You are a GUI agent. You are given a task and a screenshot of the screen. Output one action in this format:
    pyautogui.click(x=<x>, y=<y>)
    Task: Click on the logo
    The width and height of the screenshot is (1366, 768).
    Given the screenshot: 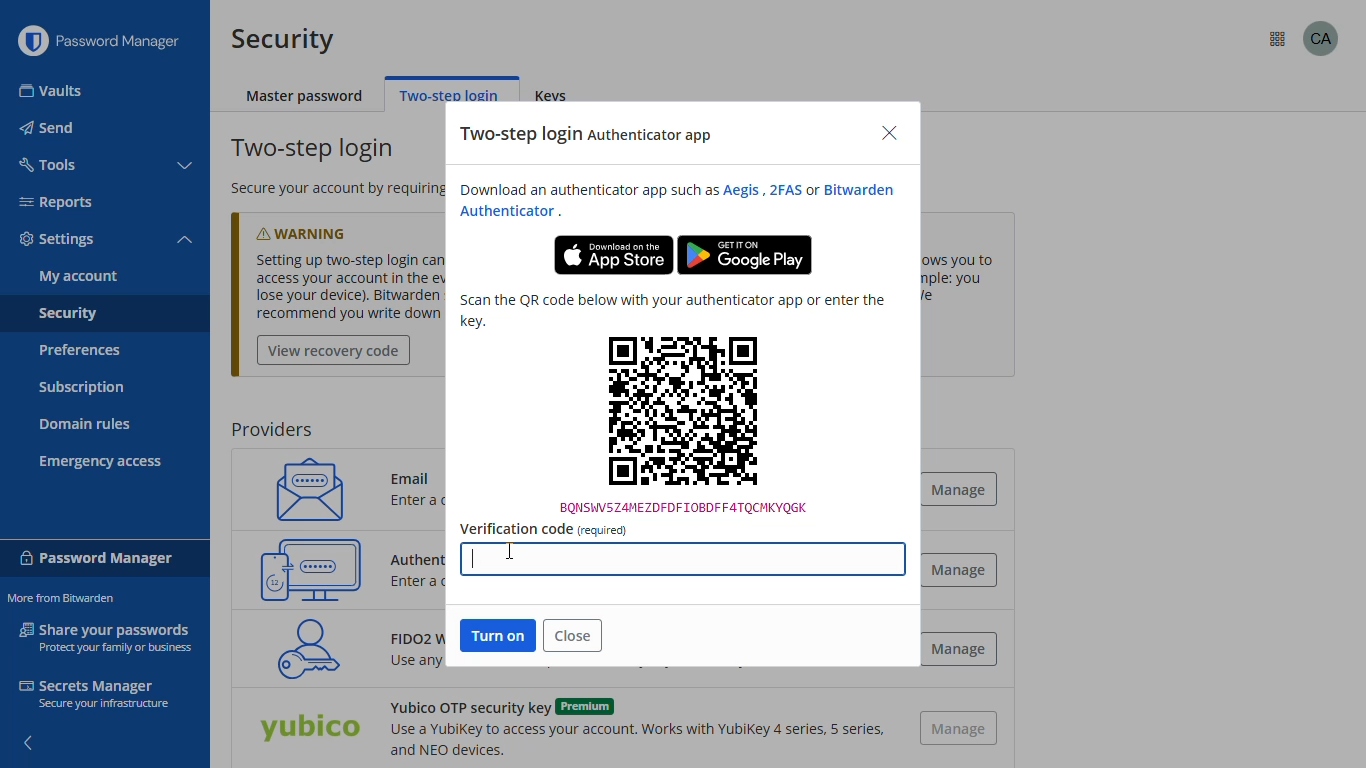 What is the action you would take?
    pyautogui.click(x=32, y=41)
    